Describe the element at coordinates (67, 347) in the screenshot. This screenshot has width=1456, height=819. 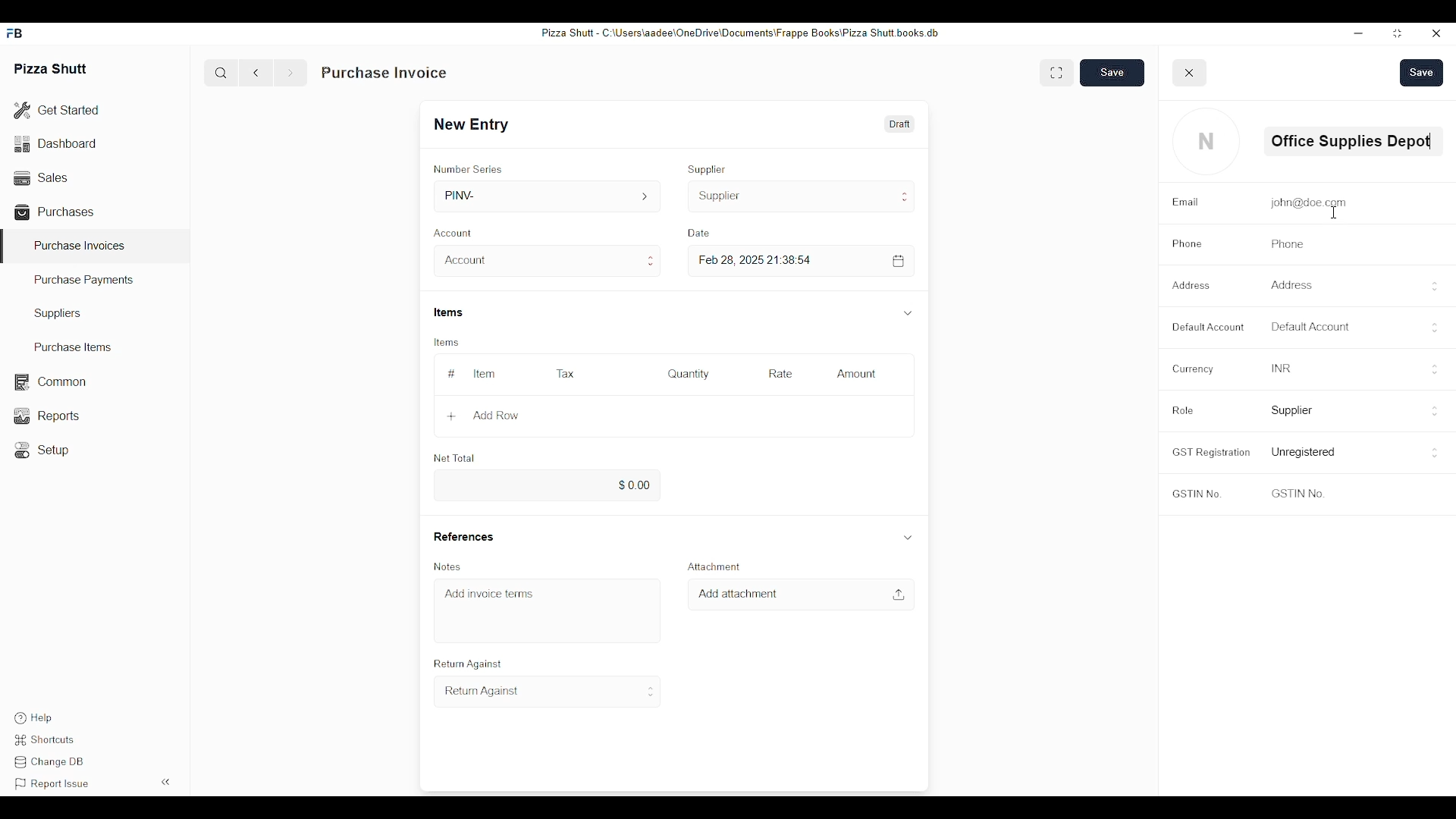
I see `Purchase Items` at that location.